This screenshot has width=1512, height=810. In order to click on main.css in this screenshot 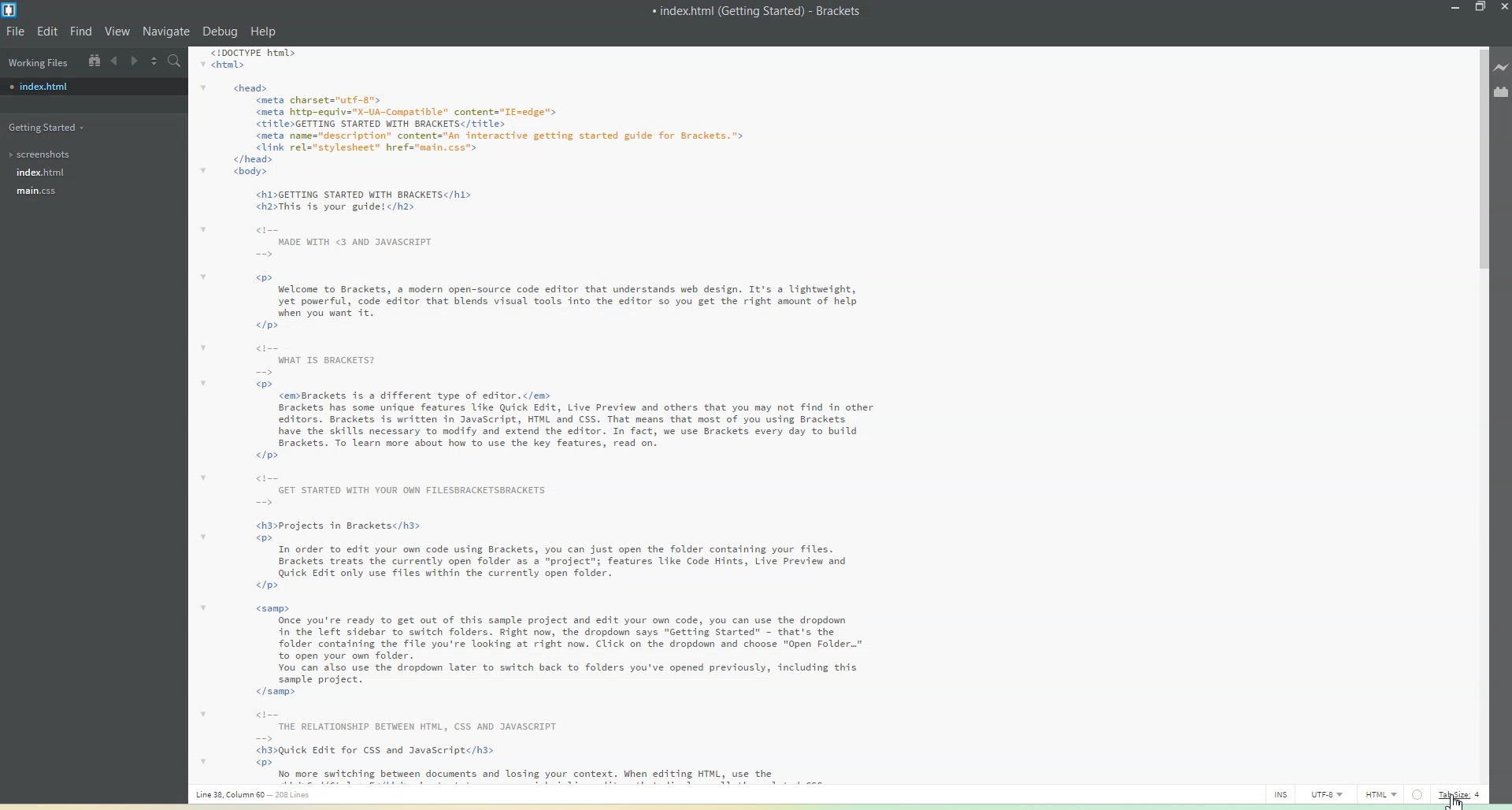, I will do `click(37, 191)`.